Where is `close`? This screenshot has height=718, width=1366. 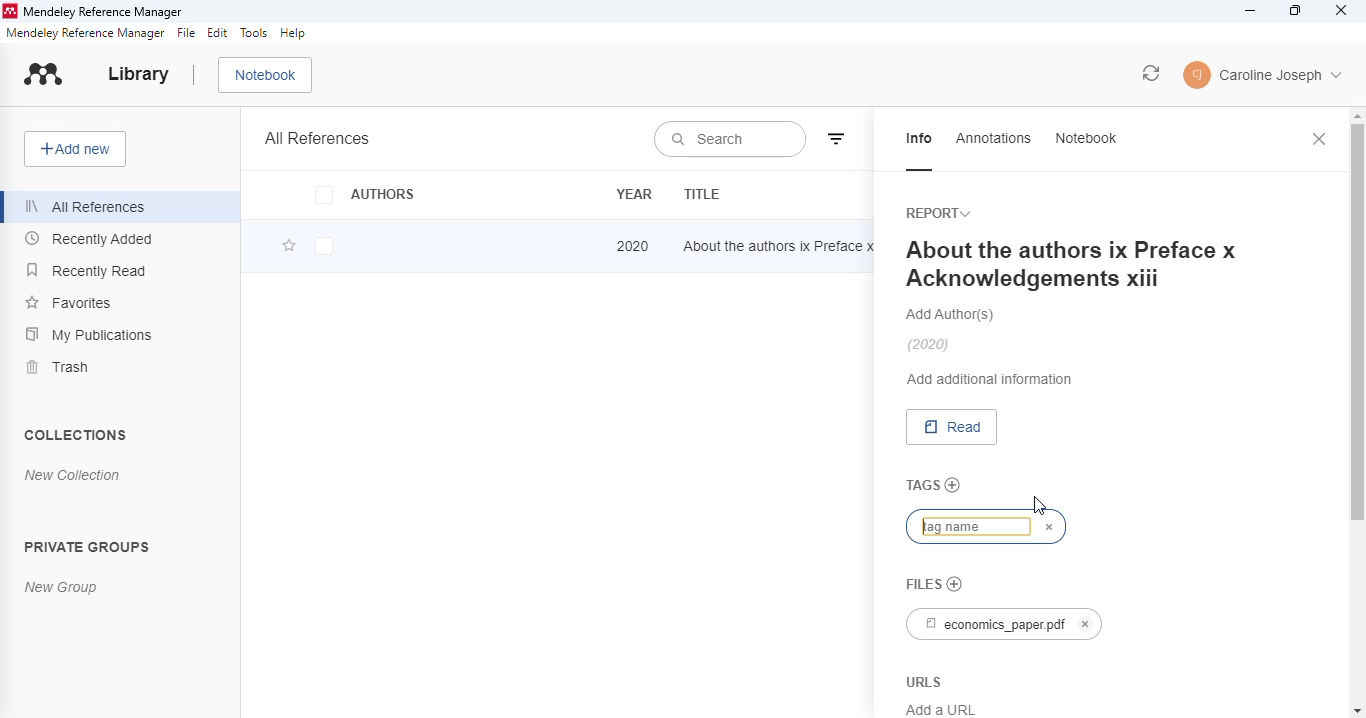 close is located at coordinates (1341, 10).